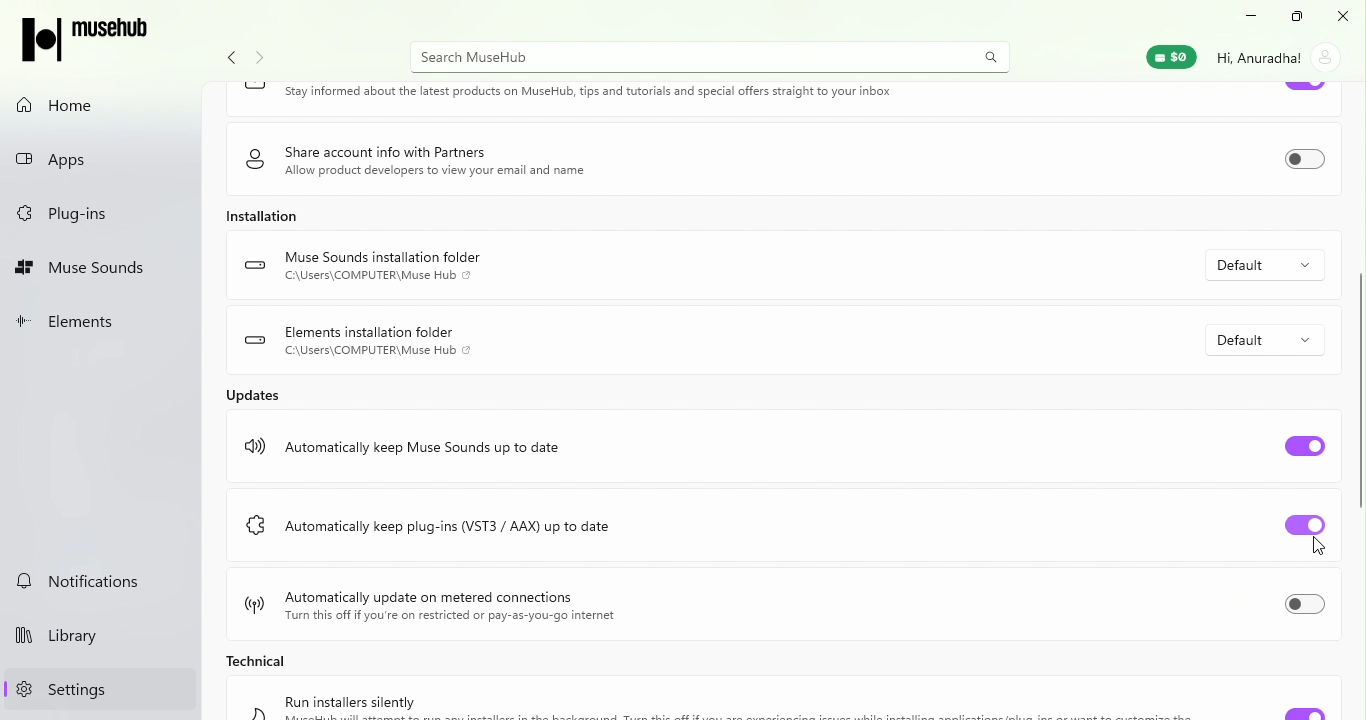 Image resolution: width=1366 pixels, height=720 pixels. What do you see at coordinates (255, 262) in the screenshot?
I see `logo ` at bounding box center [255, 262].